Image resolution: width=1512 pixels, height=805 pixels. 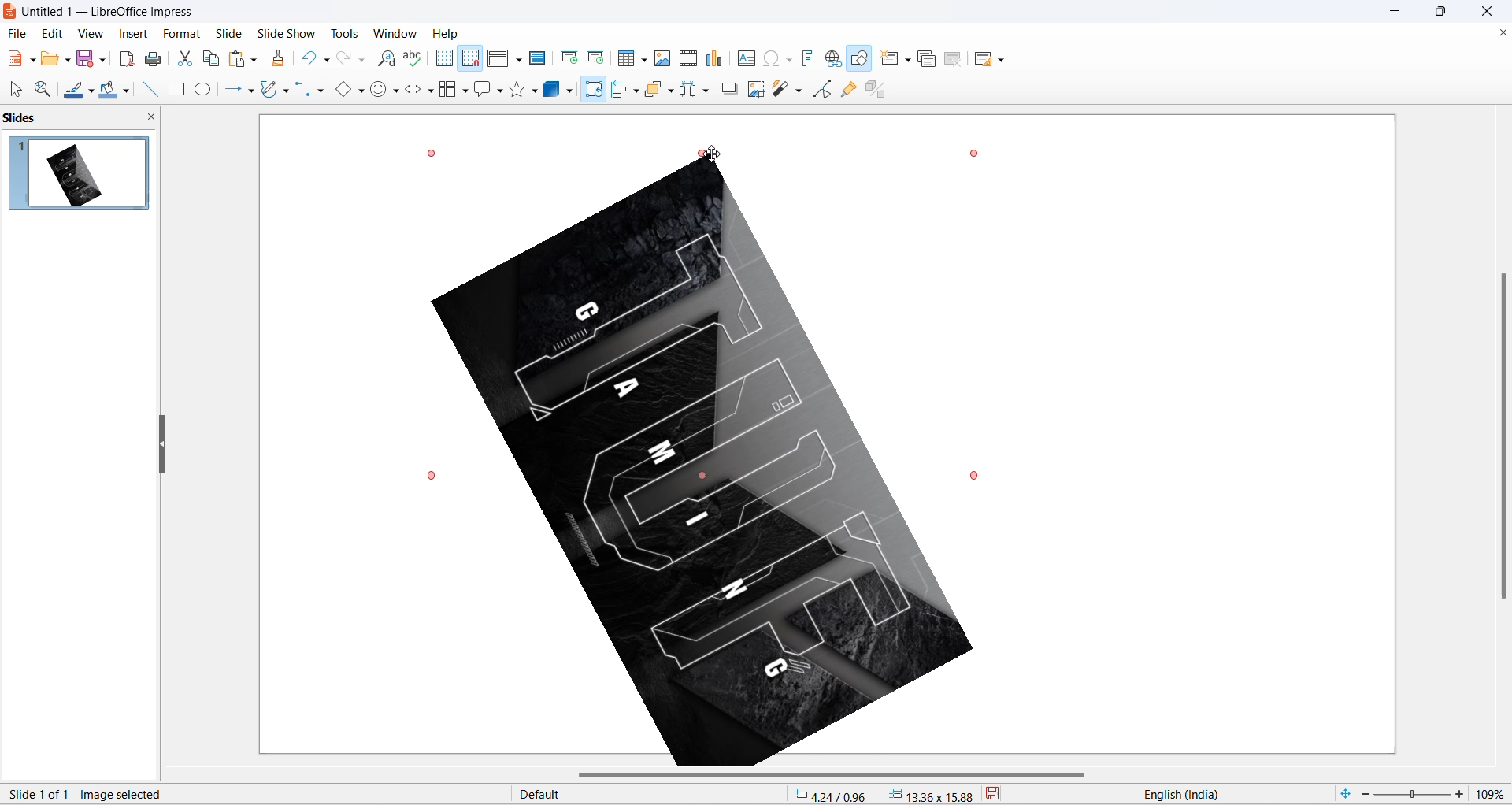 I want to click on image selection markup, so click(x=974, y=473).